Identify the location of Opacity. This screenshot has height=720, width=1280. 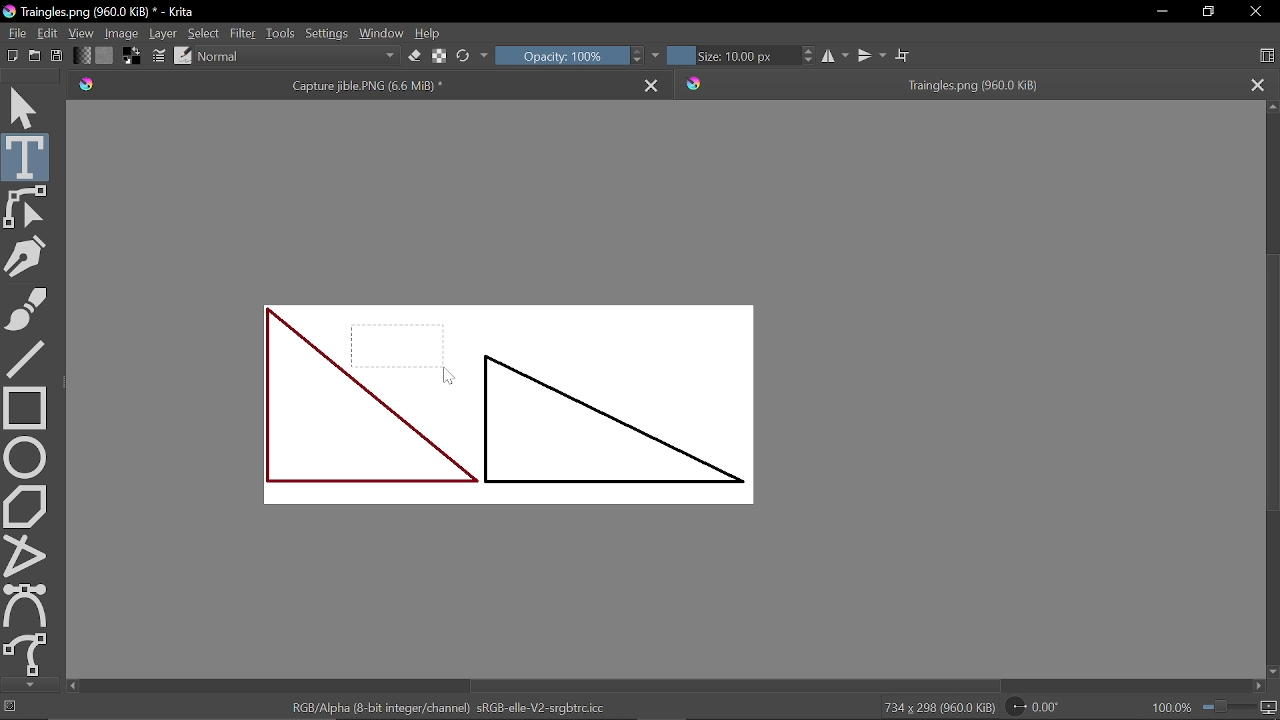
(561, 55).